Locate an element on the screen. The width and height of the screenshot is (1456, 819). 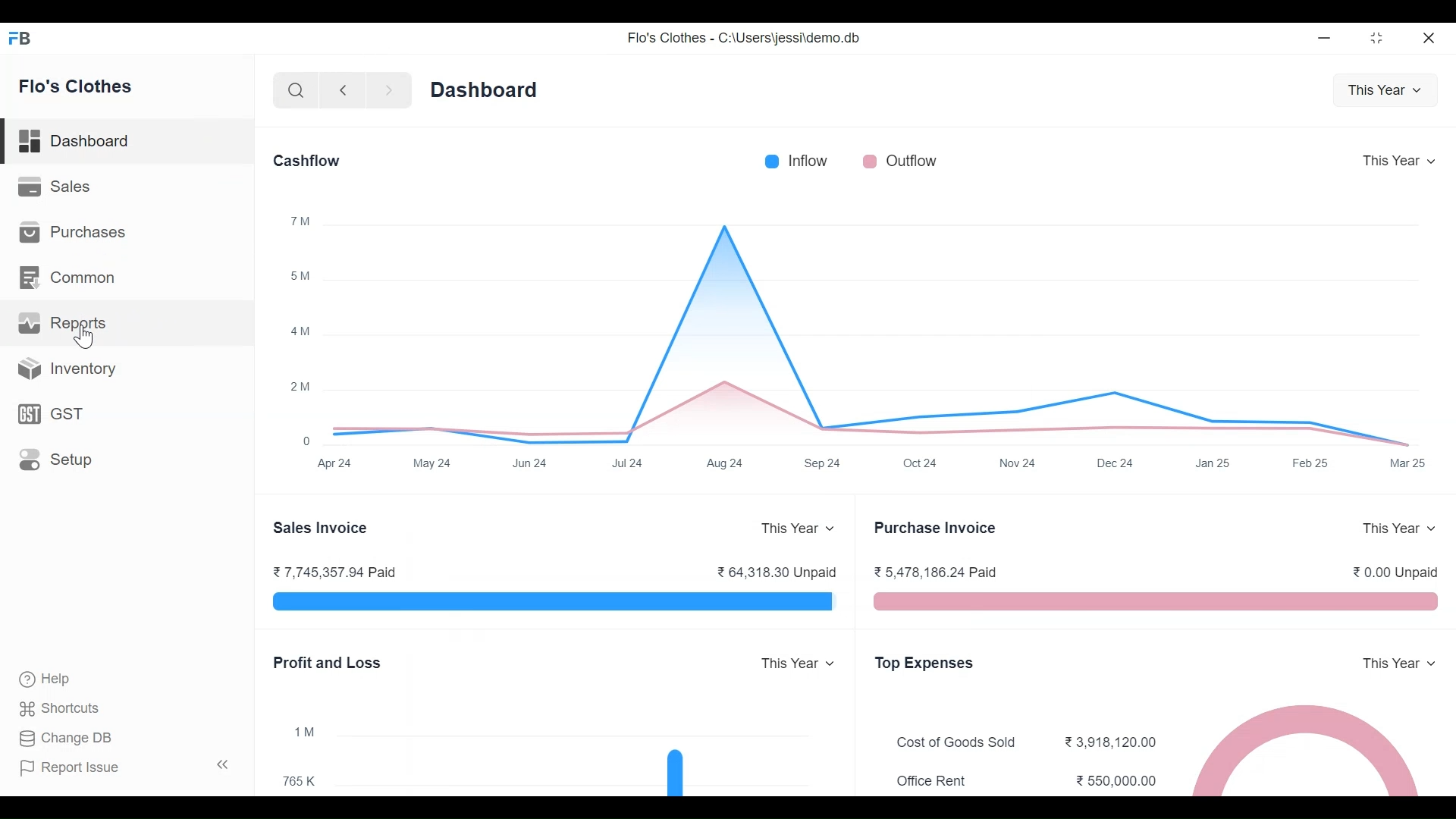
restore view is located at coordinates (1378, 39).